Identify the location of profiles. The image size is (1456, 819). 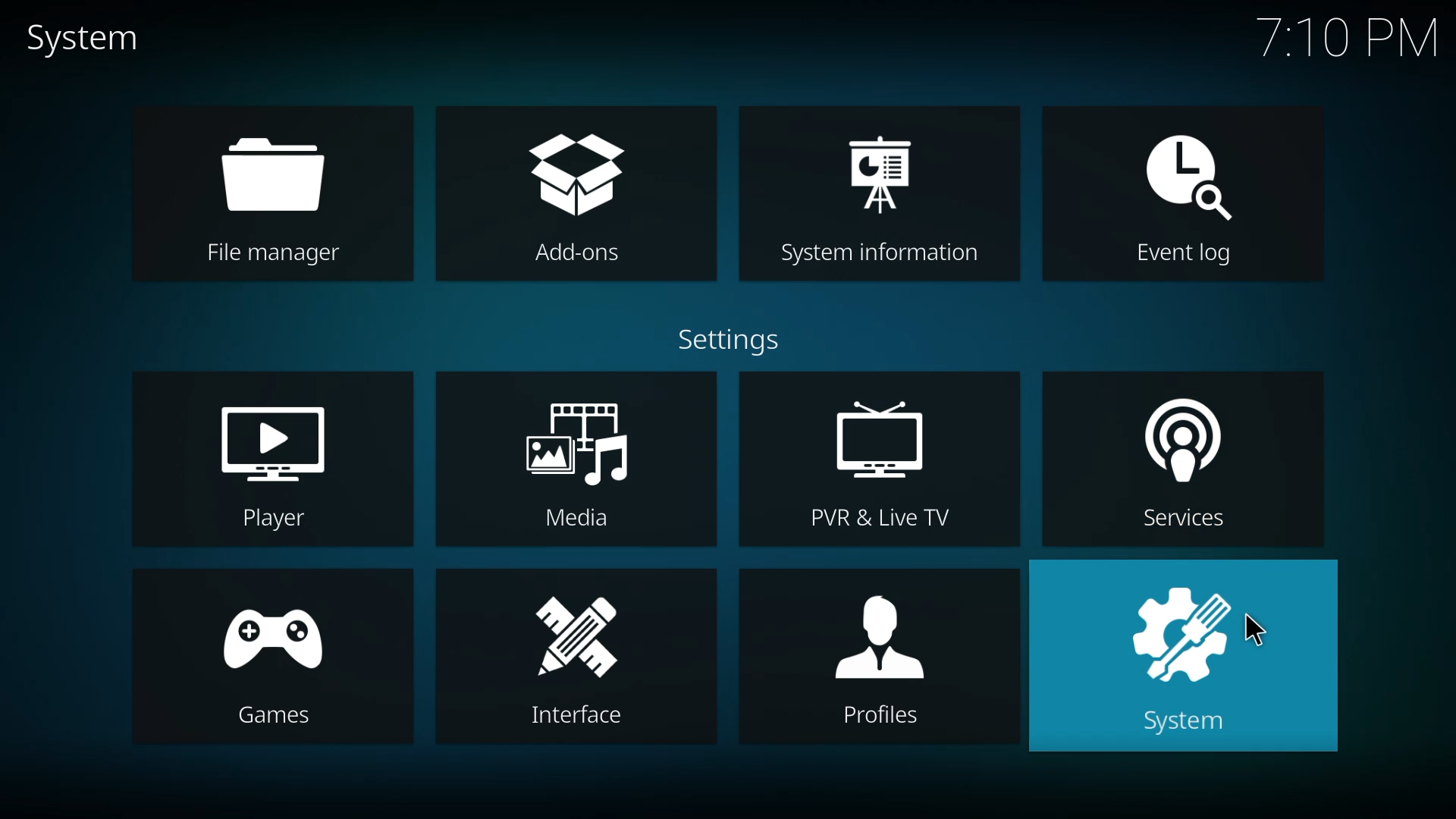
(887, 657).